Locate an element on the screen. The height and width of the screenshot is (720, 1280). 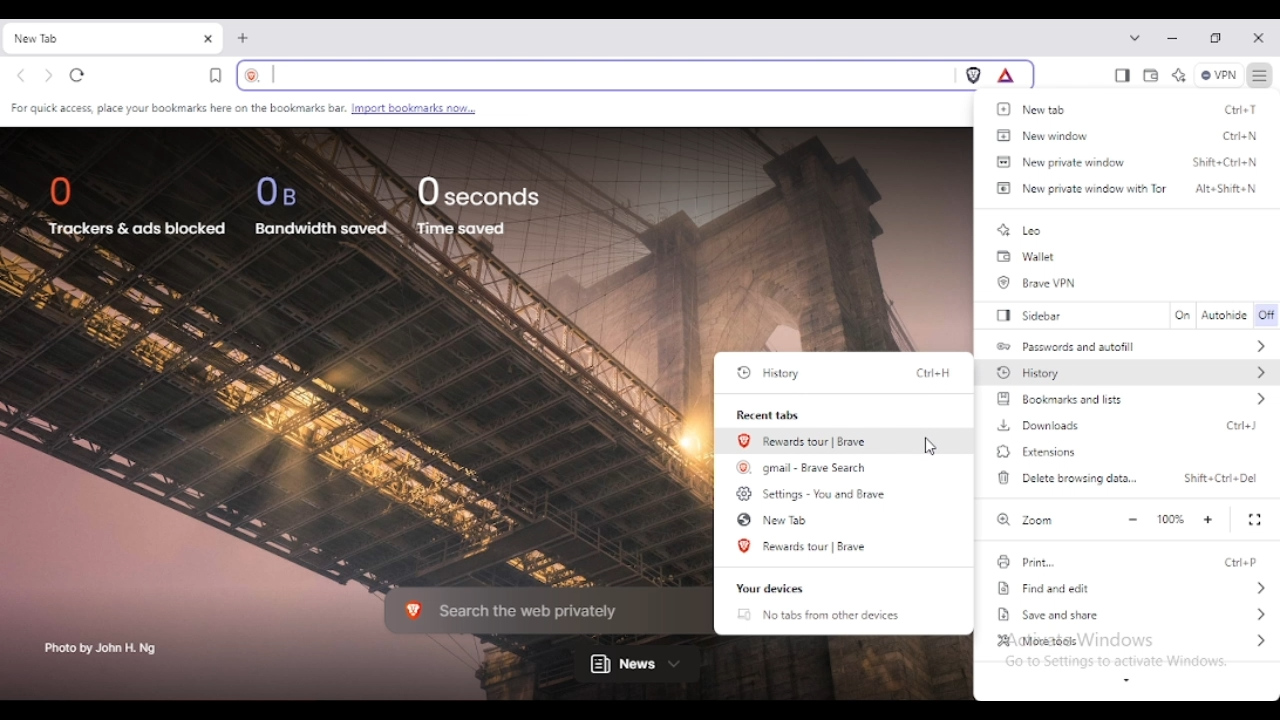
wallet is located at coordinates (1151, 77).